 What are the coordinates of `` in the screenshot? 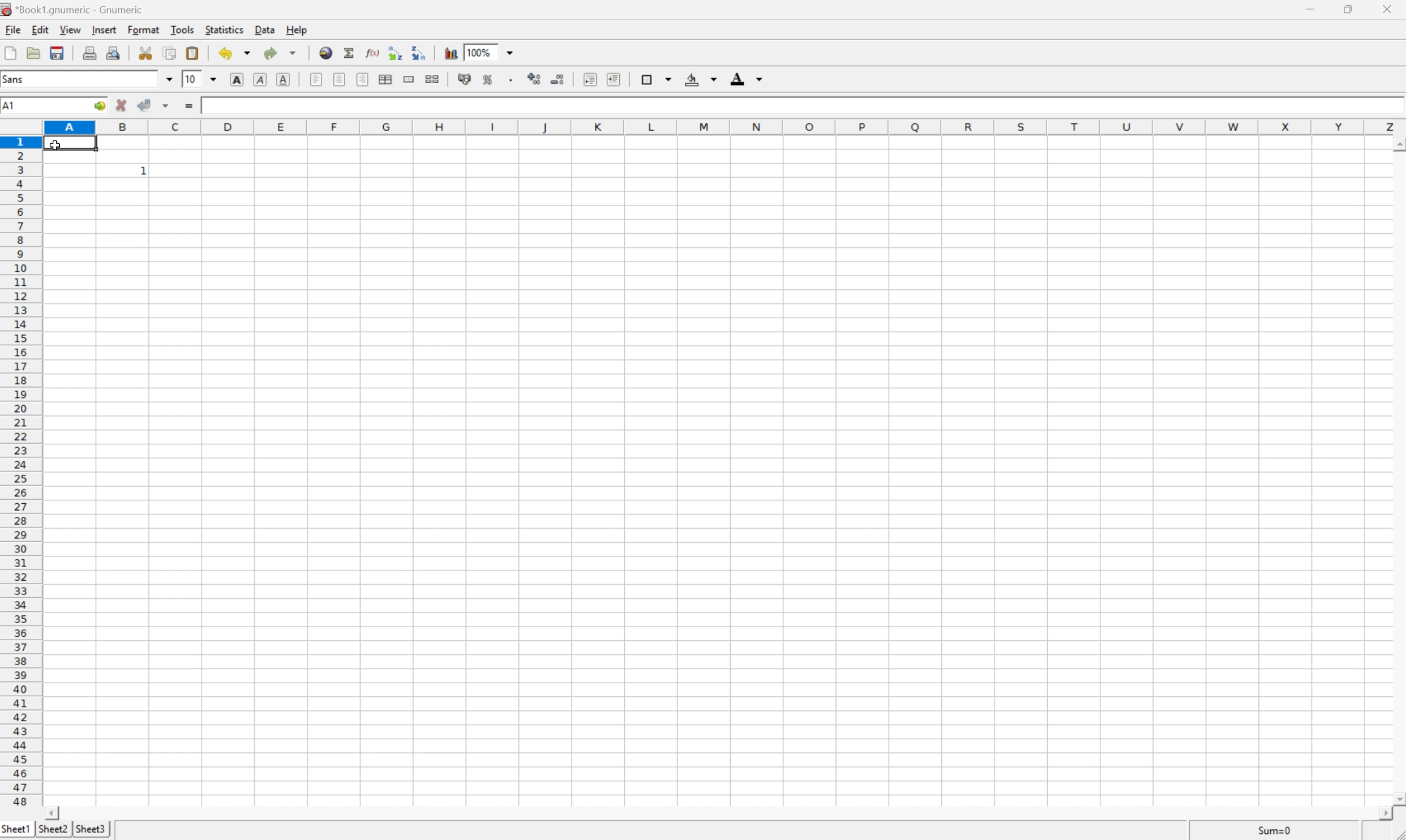 It's located at (11, 31).